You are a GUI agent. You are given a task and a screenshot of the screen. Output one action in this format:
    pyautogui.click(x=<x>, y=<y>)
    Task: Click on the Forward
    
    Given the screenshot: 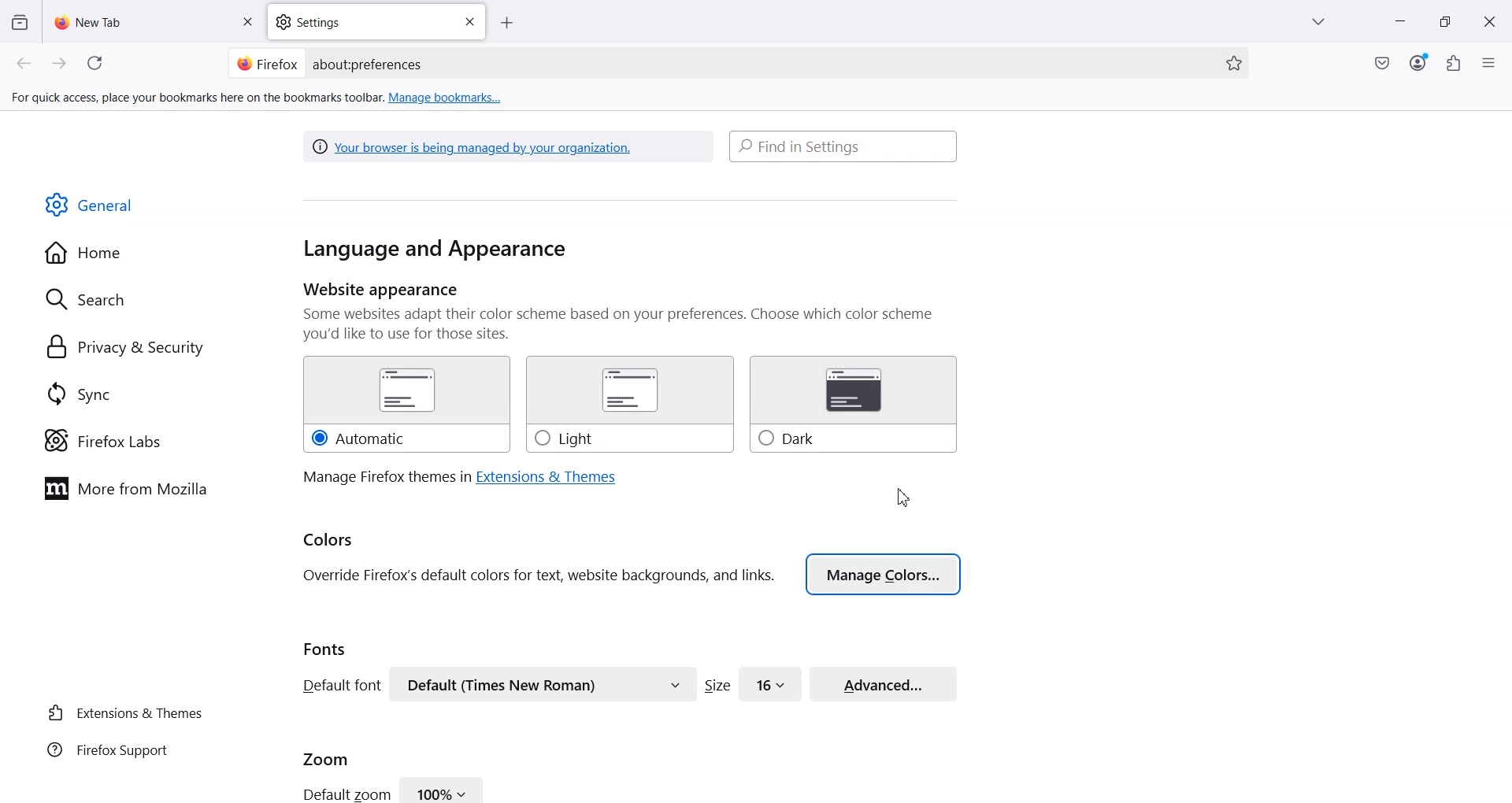 What is the action you would take?
    pyautogui.click(x=60, y=64)
    